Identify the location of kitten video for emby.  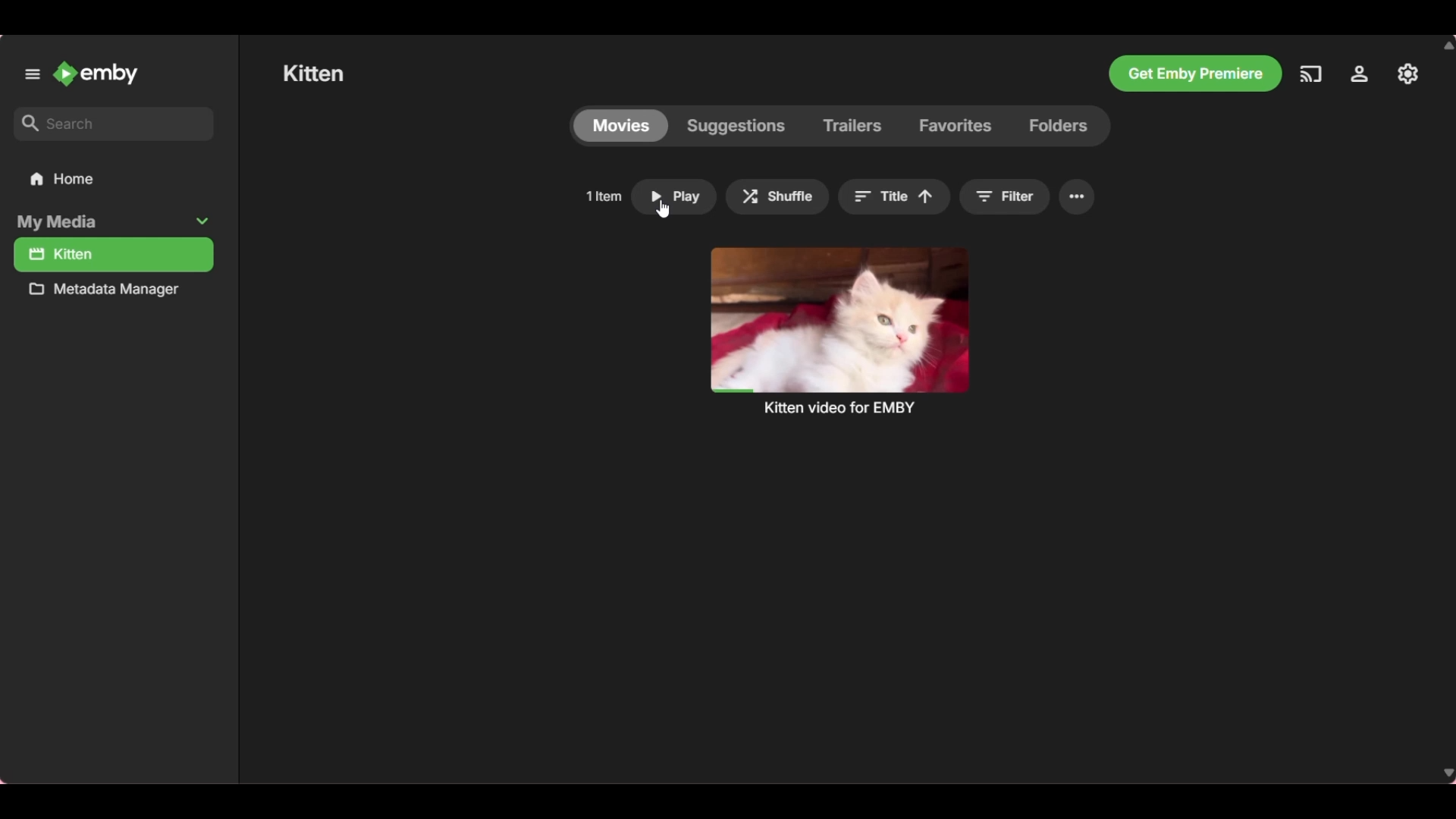
(839, 330).